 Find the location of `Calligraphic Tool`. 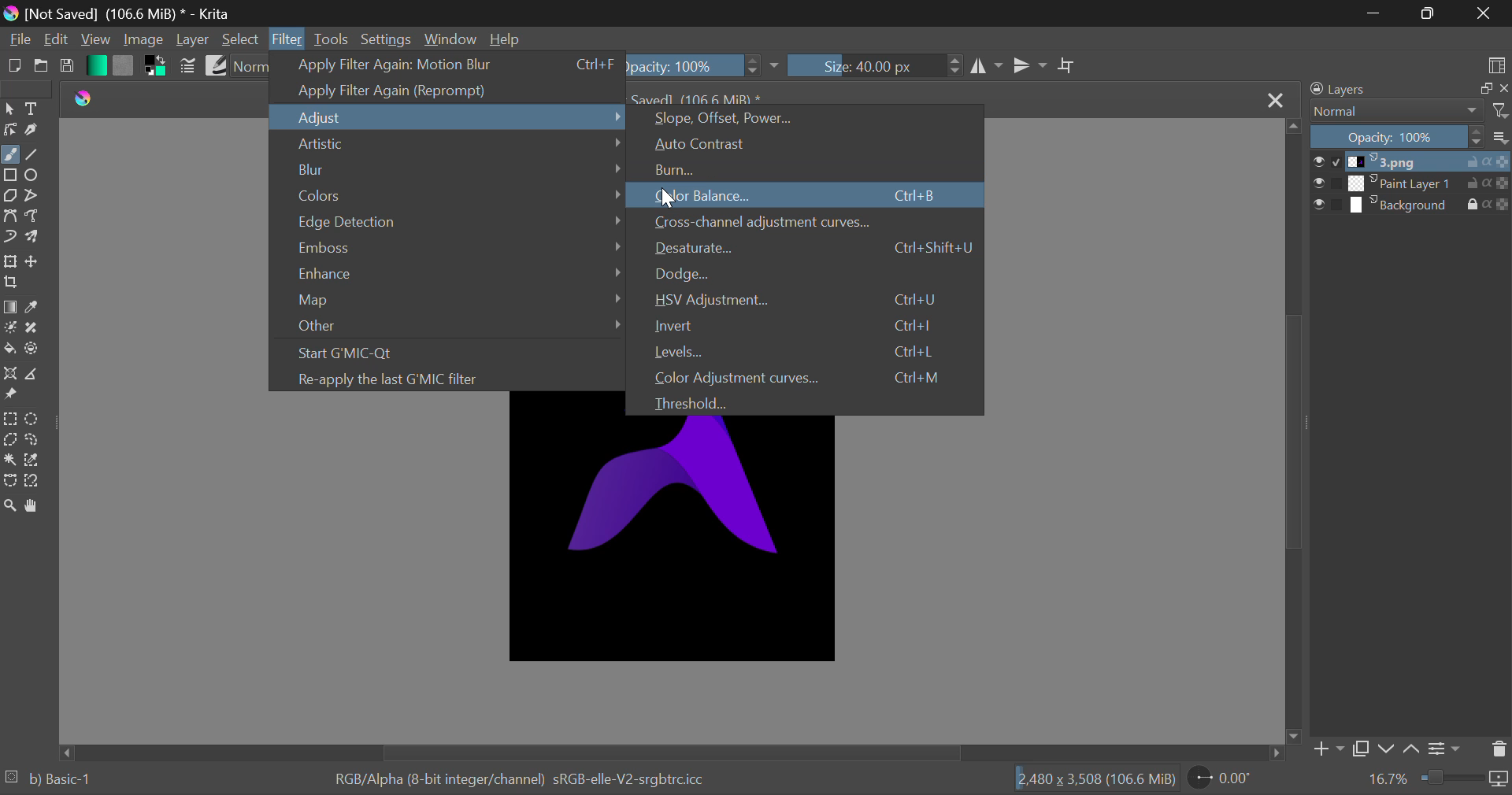

Calligraphic Tool is located at coordinates (33, 131).